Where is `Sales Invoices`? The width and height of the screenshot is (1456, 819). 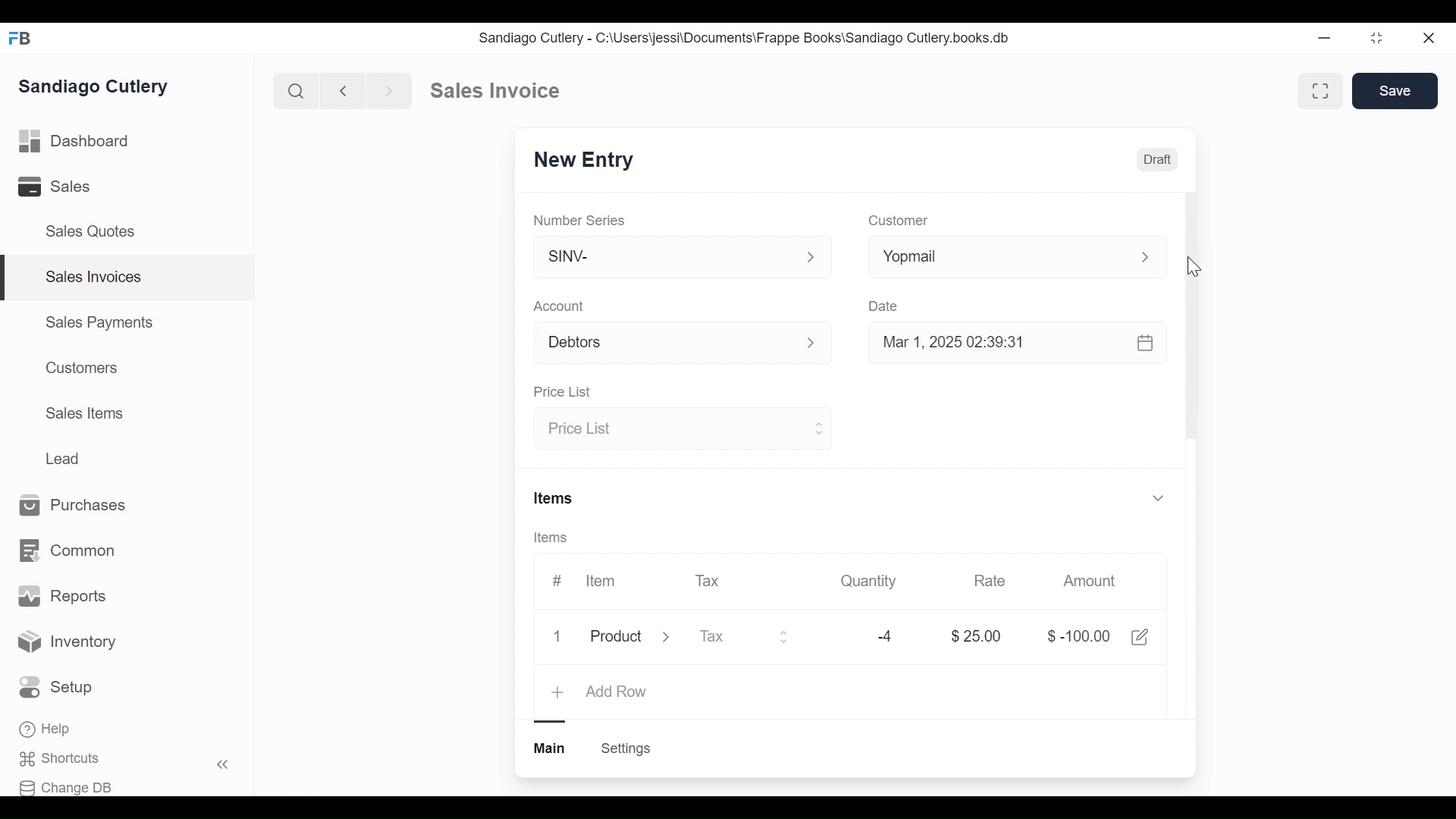 Sales Invoices is located at coordinates (95, 277).